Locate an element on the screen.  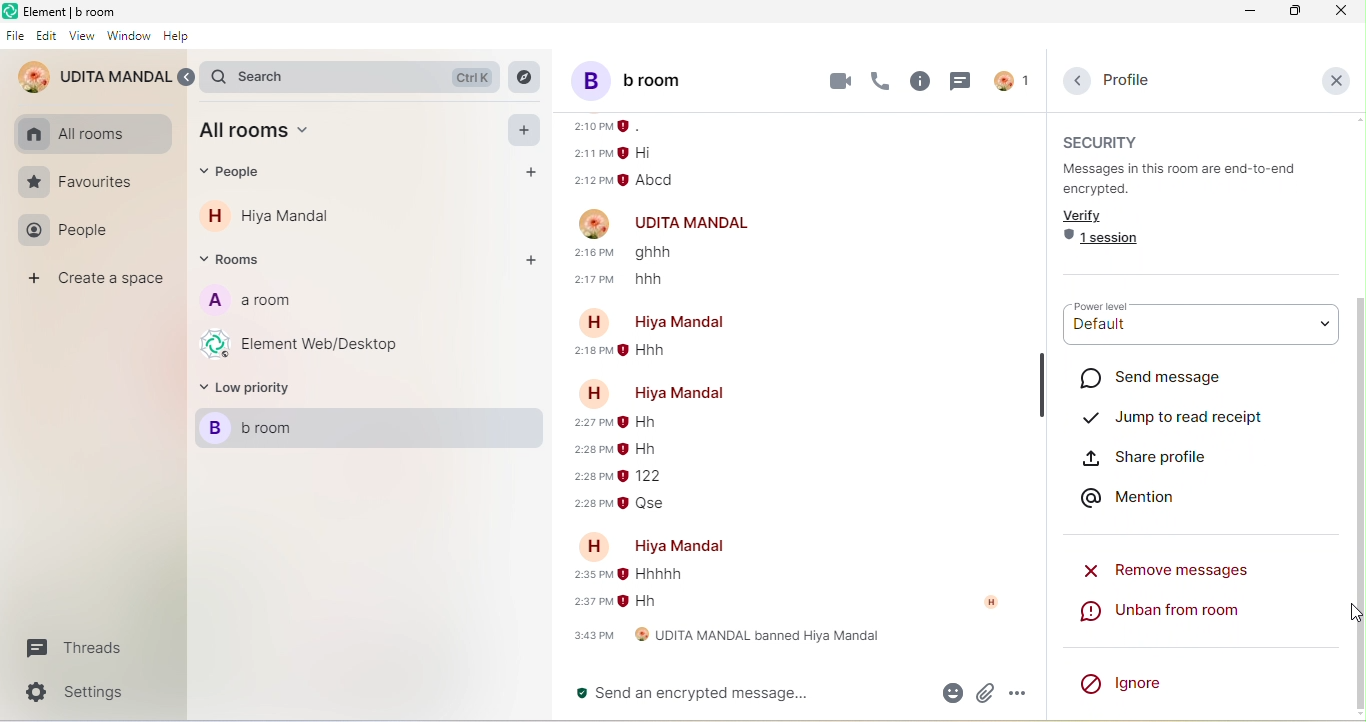
threads is located at coordinates (958, 80).